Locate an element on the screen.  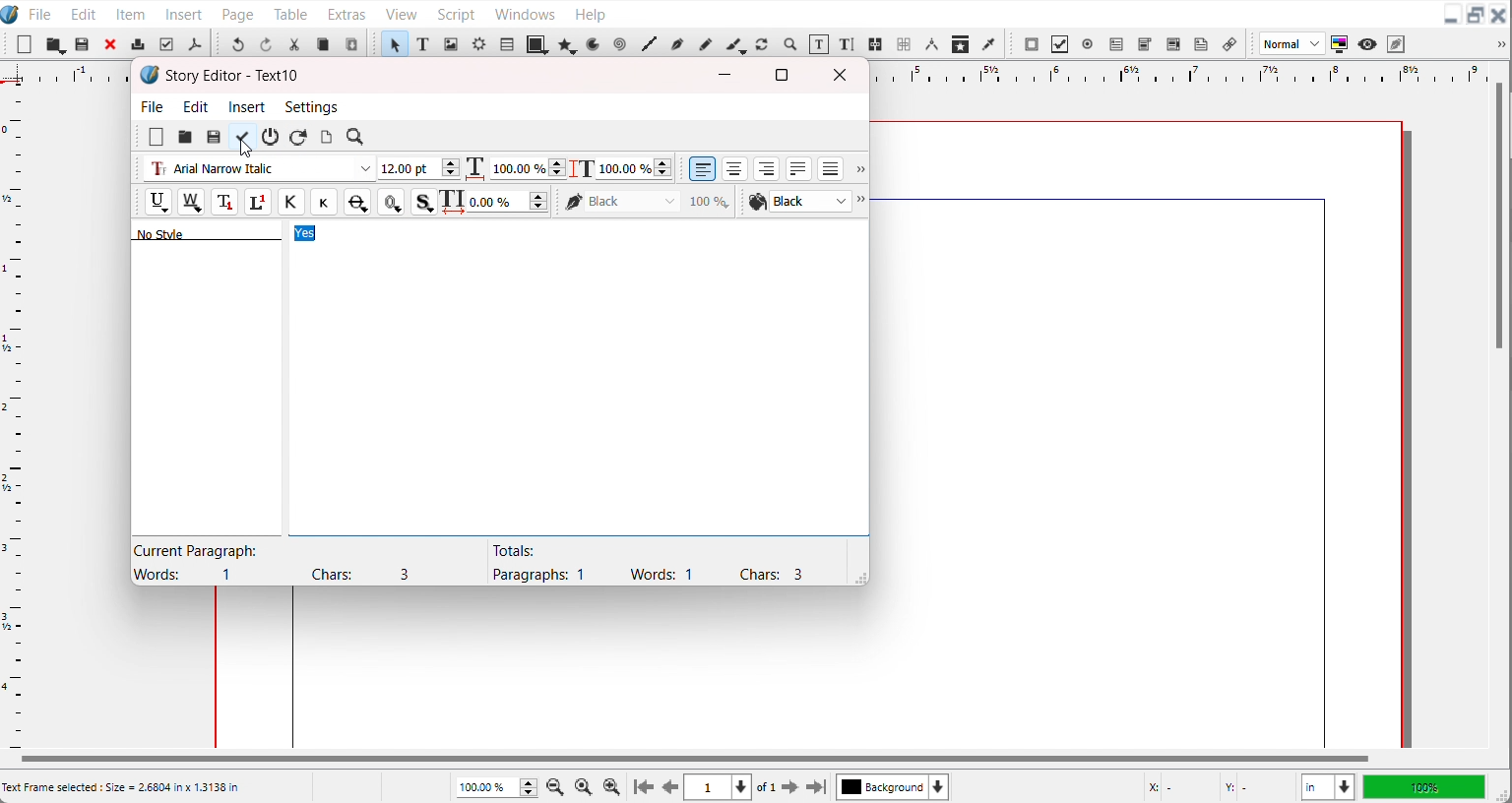
Edit in preview mode is located at coordinates (1397, 43).